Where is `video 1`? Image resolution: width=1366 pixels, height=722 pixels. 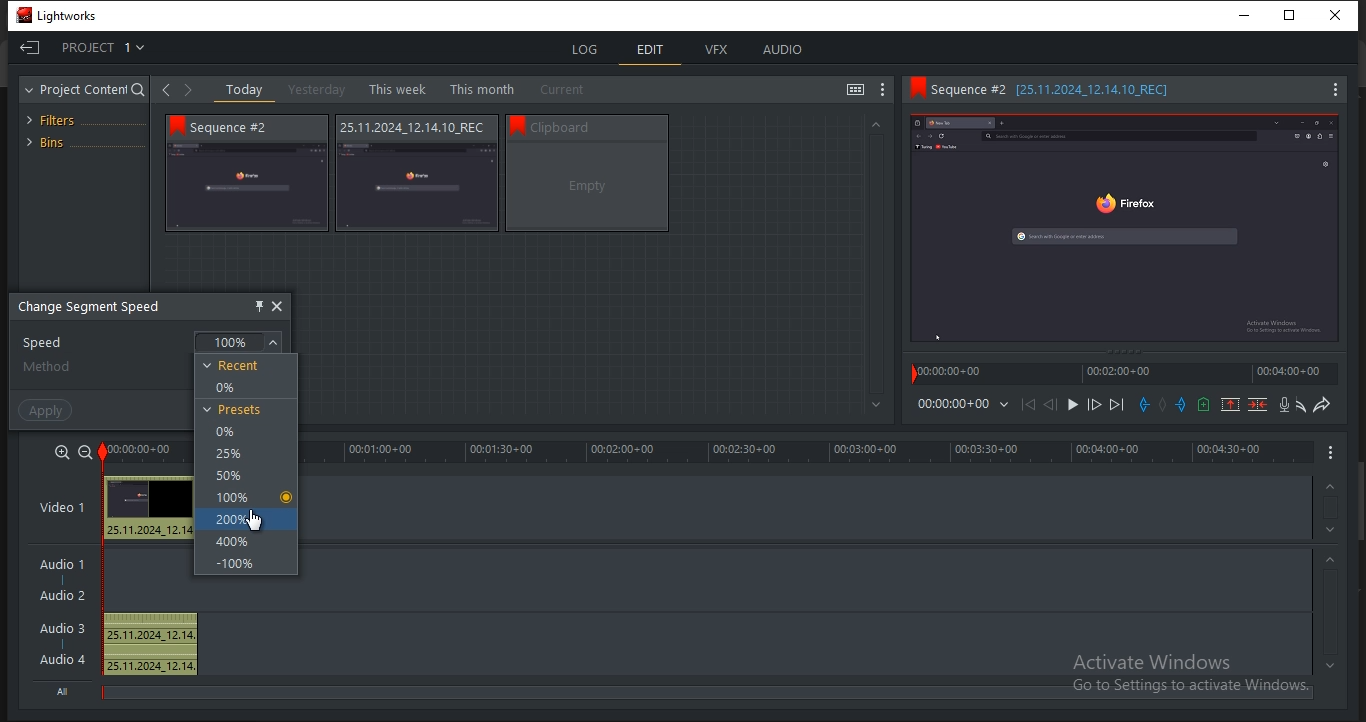
video 1 is located at coordinates (65, 508).